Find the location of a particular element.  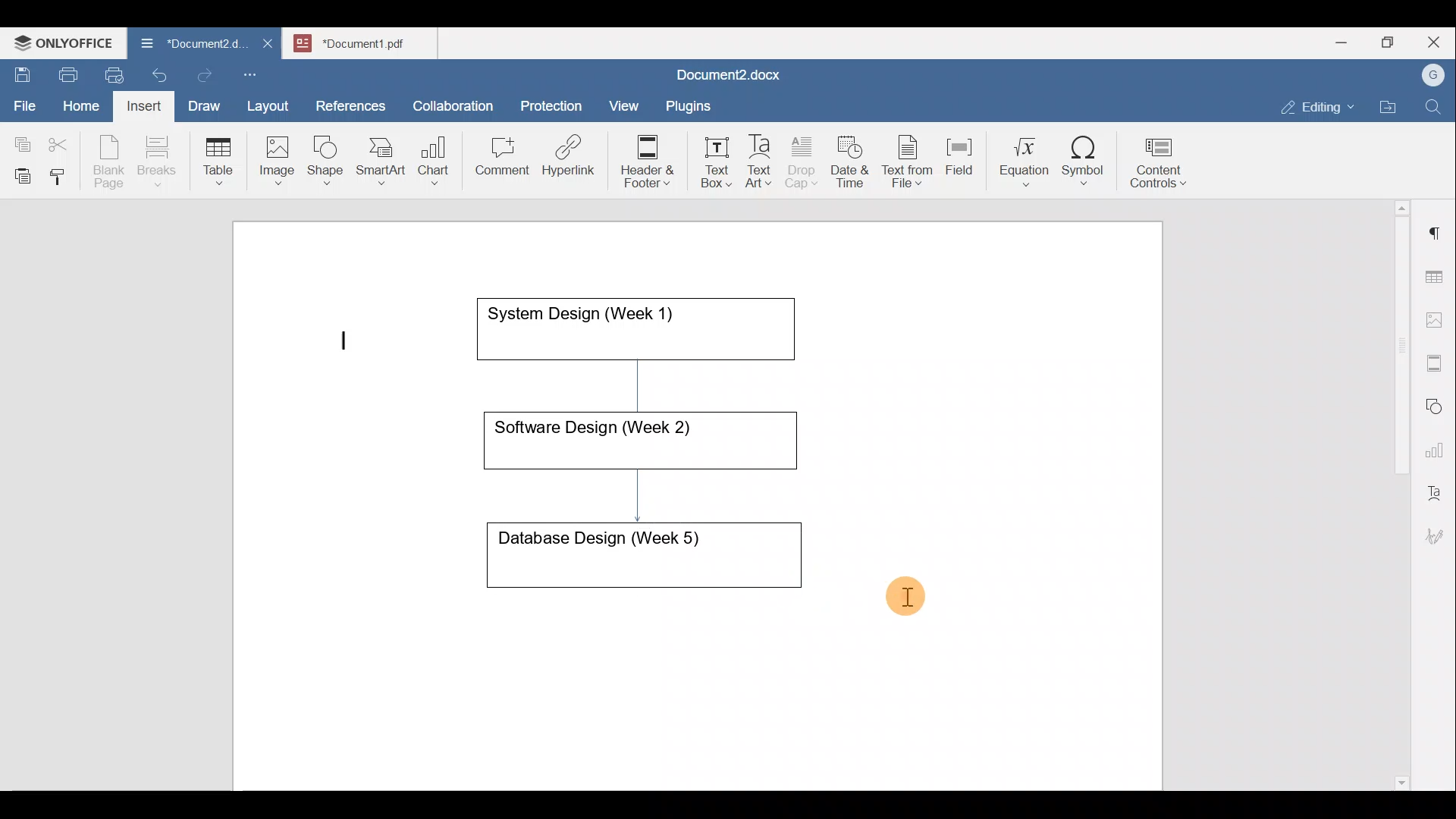

Paragraph settings is located at coordinates (1436, 227).